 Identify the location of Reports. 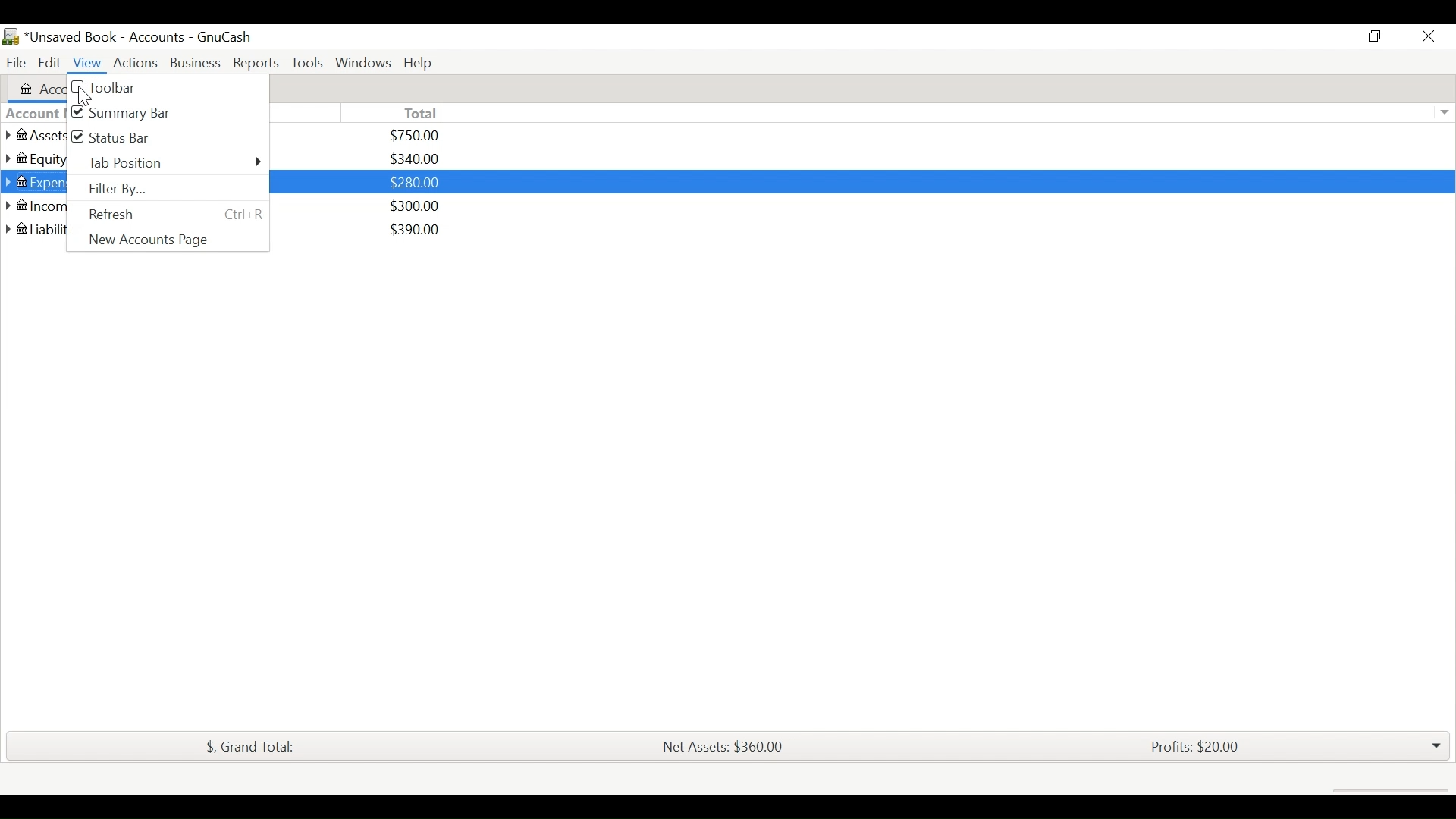
(256, 62).